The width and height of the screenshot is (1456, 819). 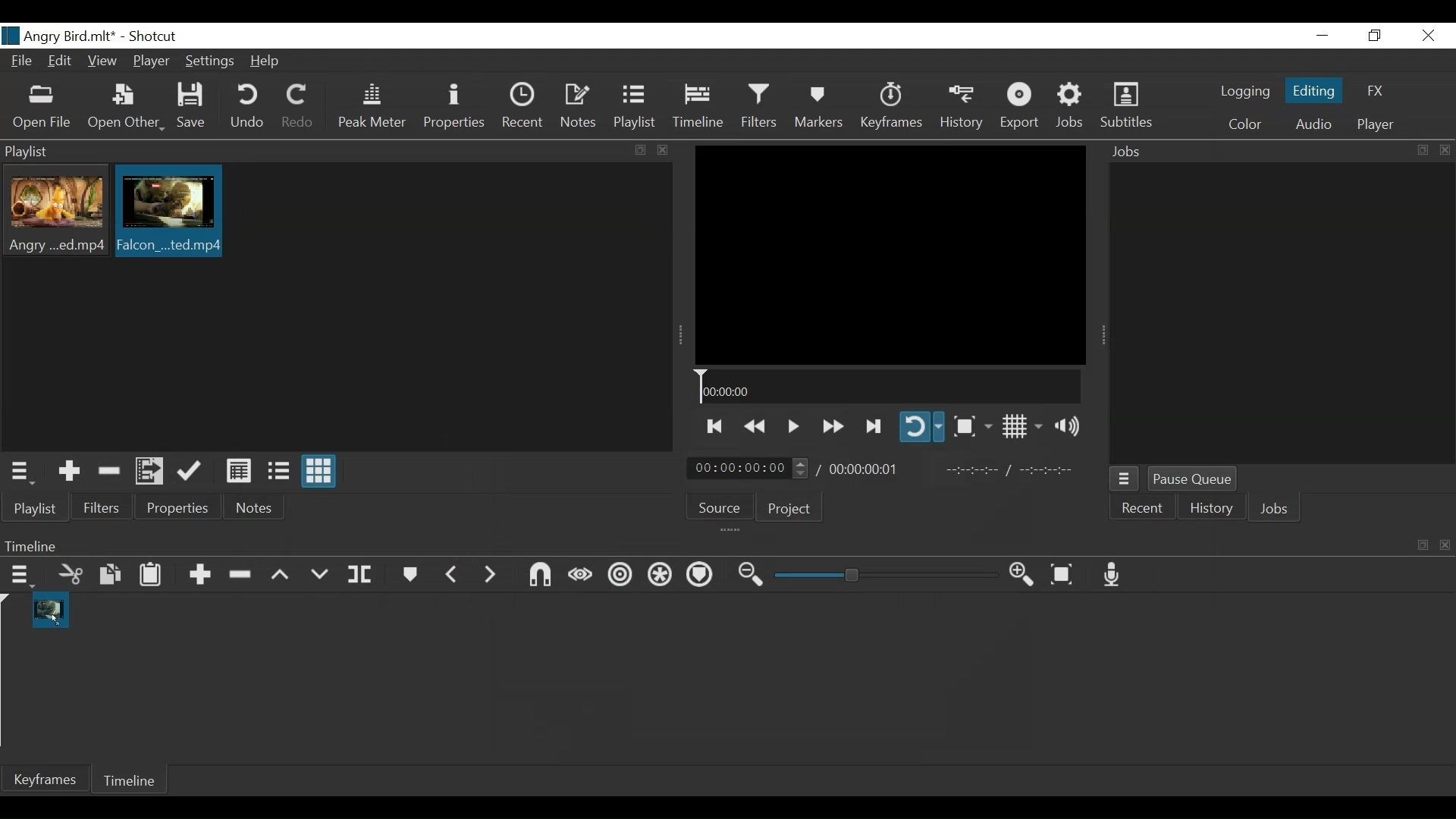 I want to click on Audio, so click(x=1313, y=126).